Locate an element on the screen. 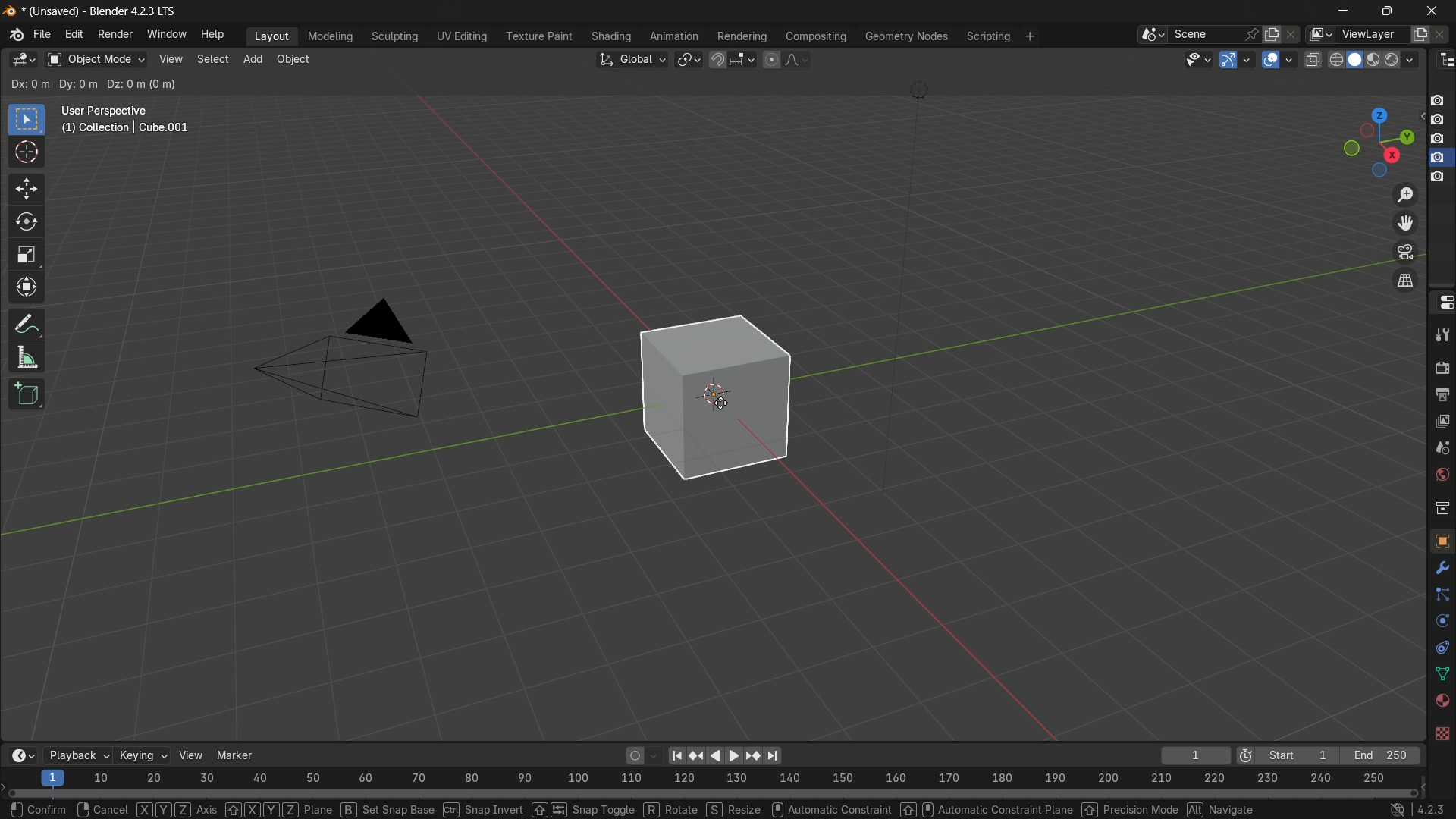 The height and width of the screenshot is (819, 1456). select box is located at coordinates (27, 118).